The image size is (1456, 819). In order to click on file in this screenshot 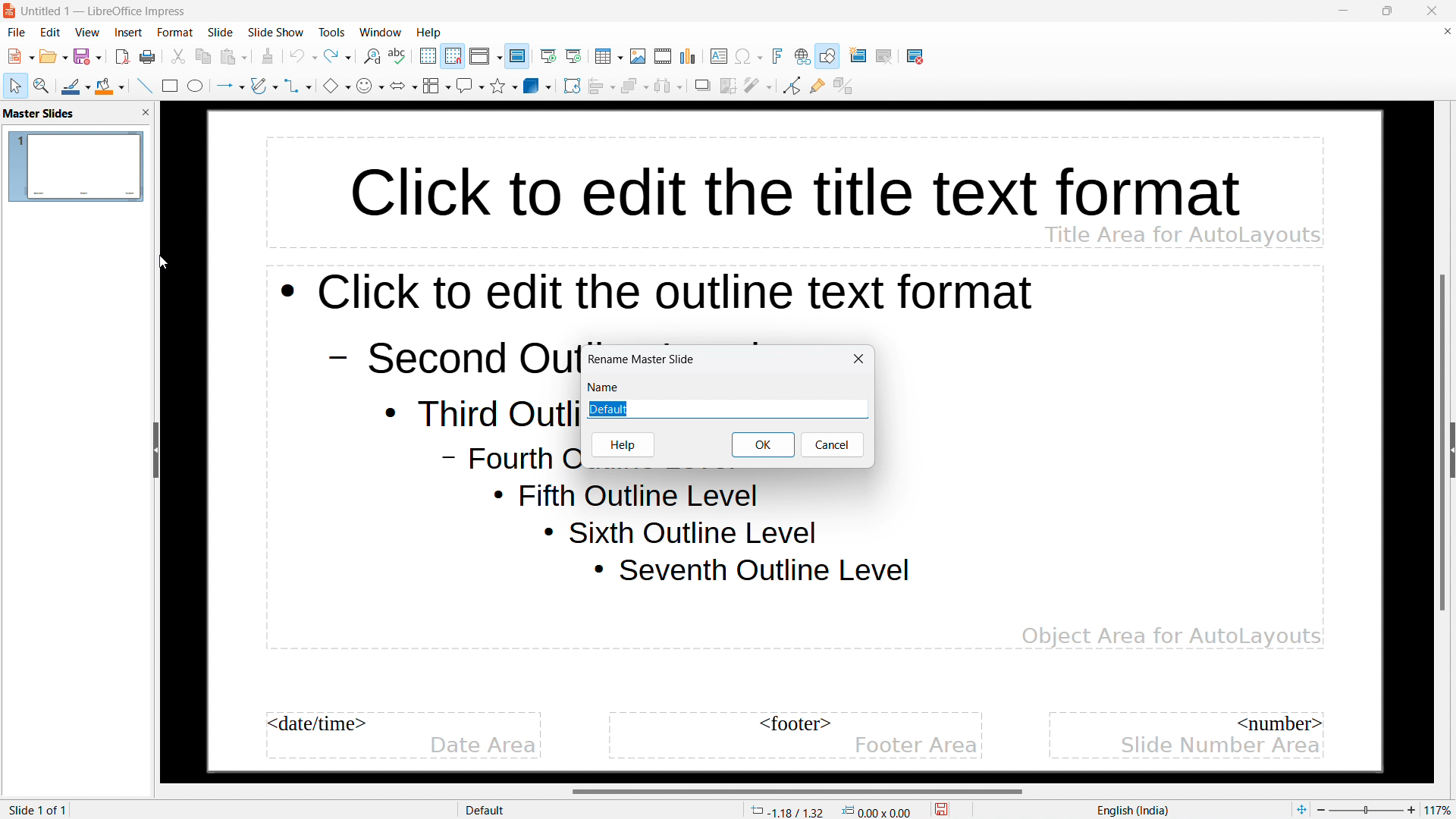, I will do `click(17, 33)`.